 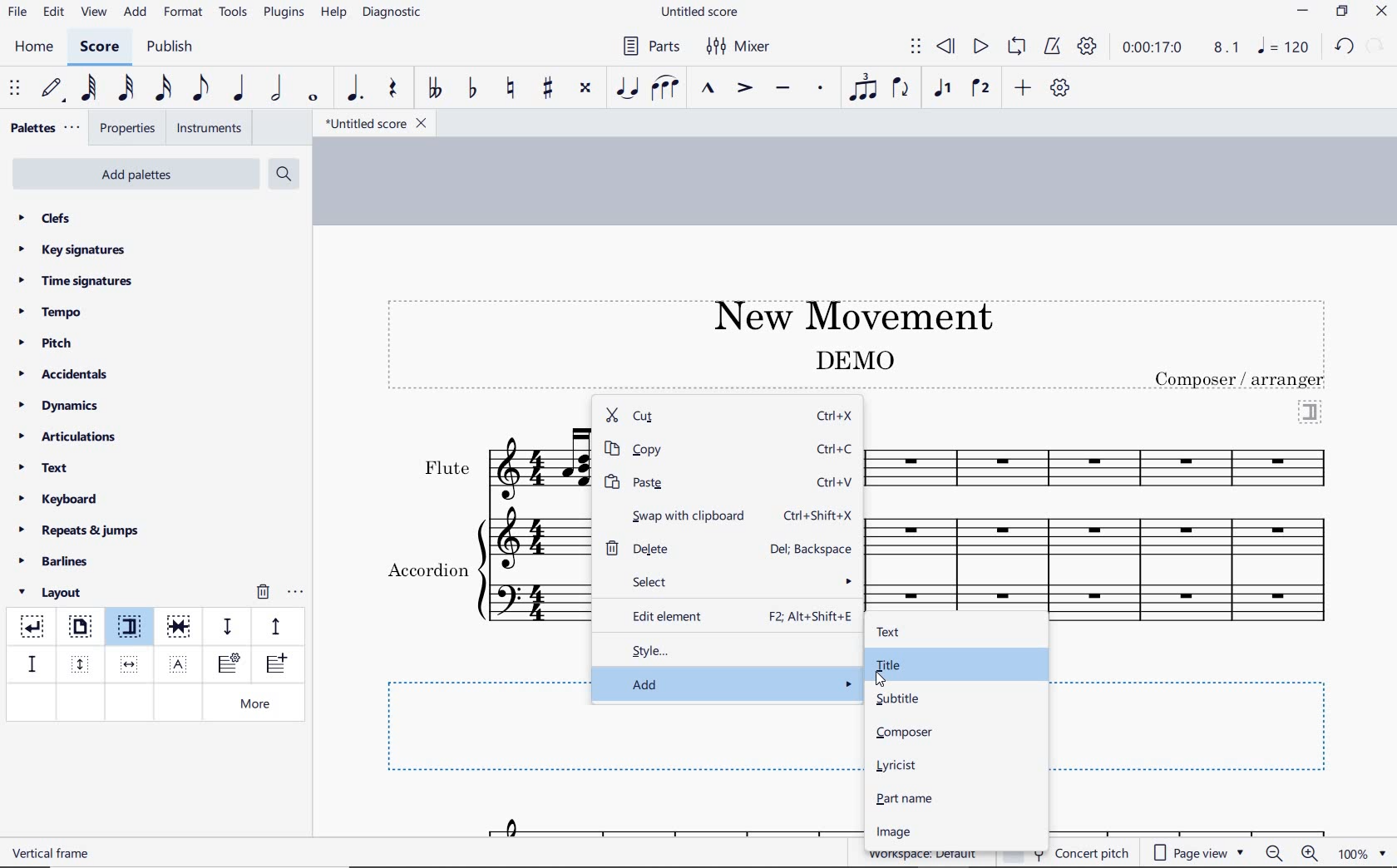 What do you see at coordinates (1094, 851) in the screenshot?
I see `concert pitch` at bounding box center [1094, 851].